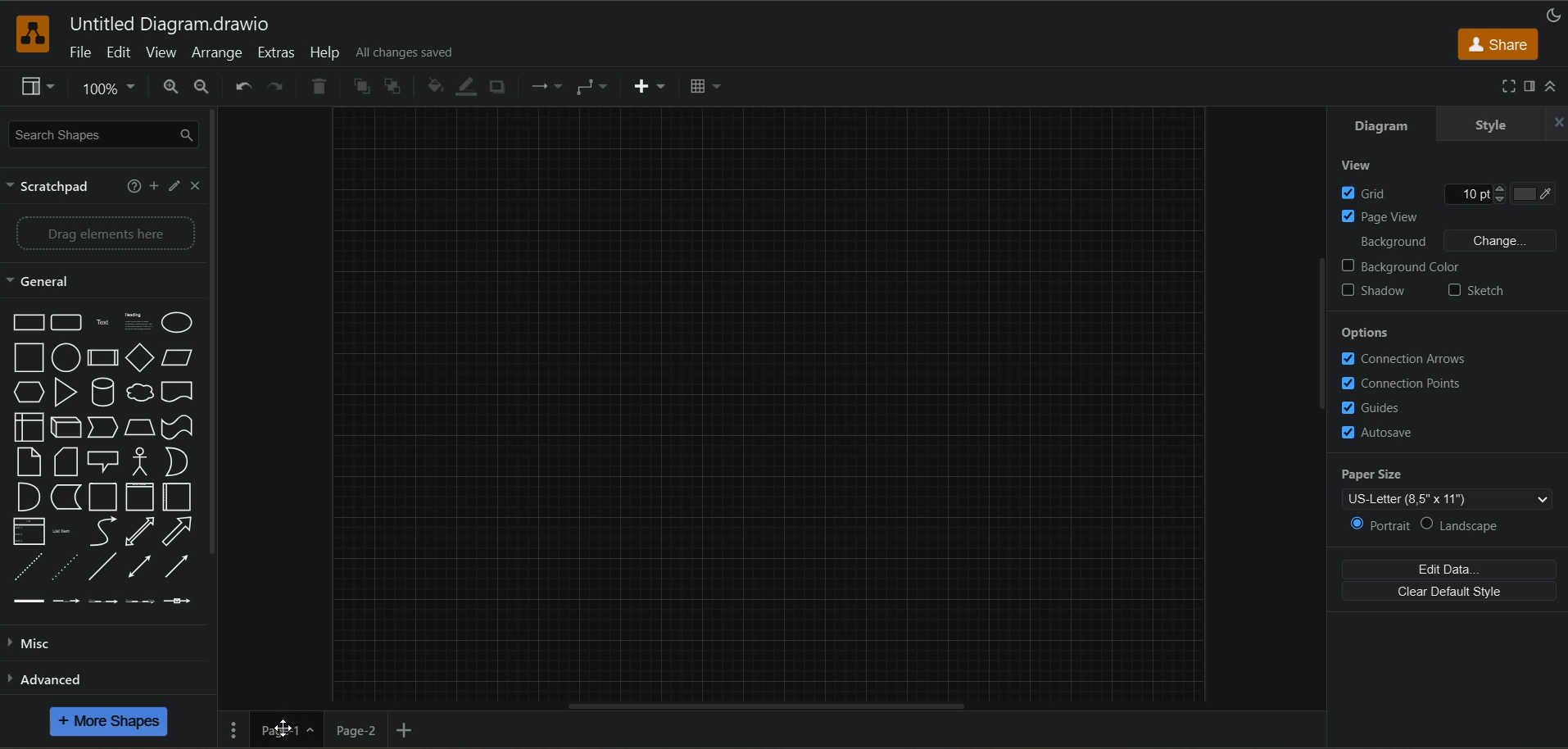  What do you see at coordinates (152, 189) in the screenshot?
I see `add` at bounding box center [152, 189].